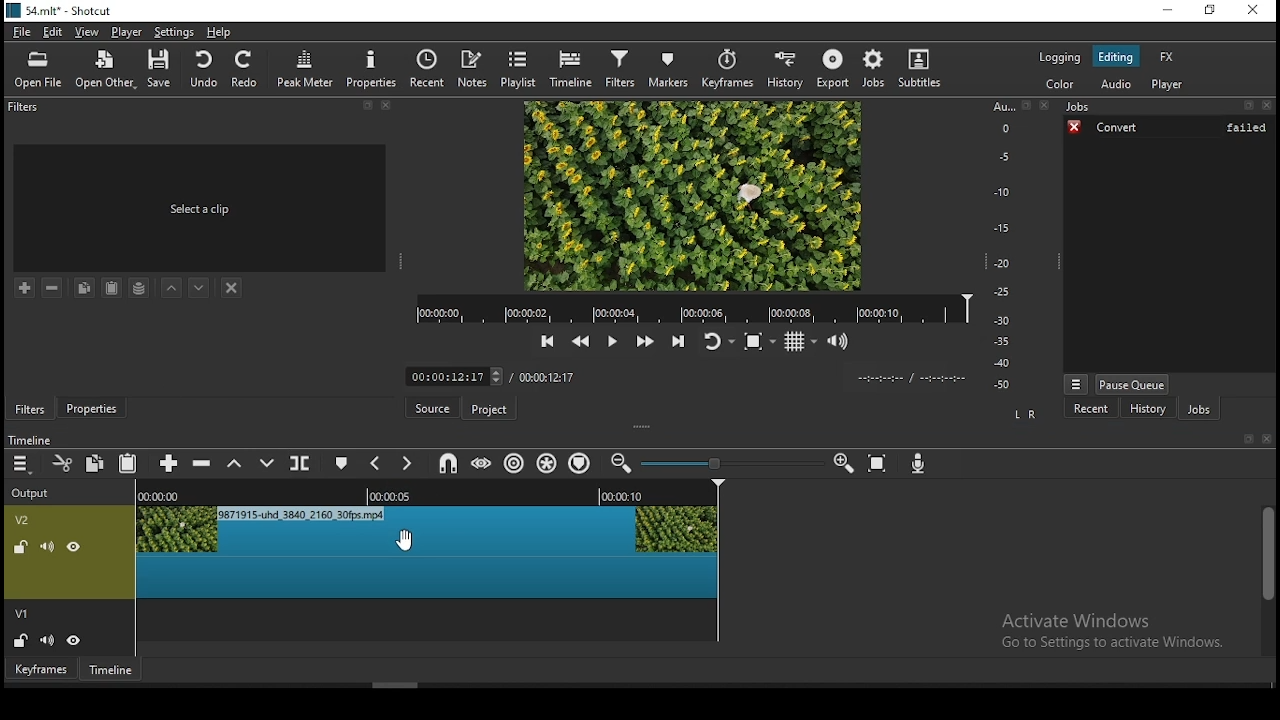  I want to click on save filter set, so click(139, 285).